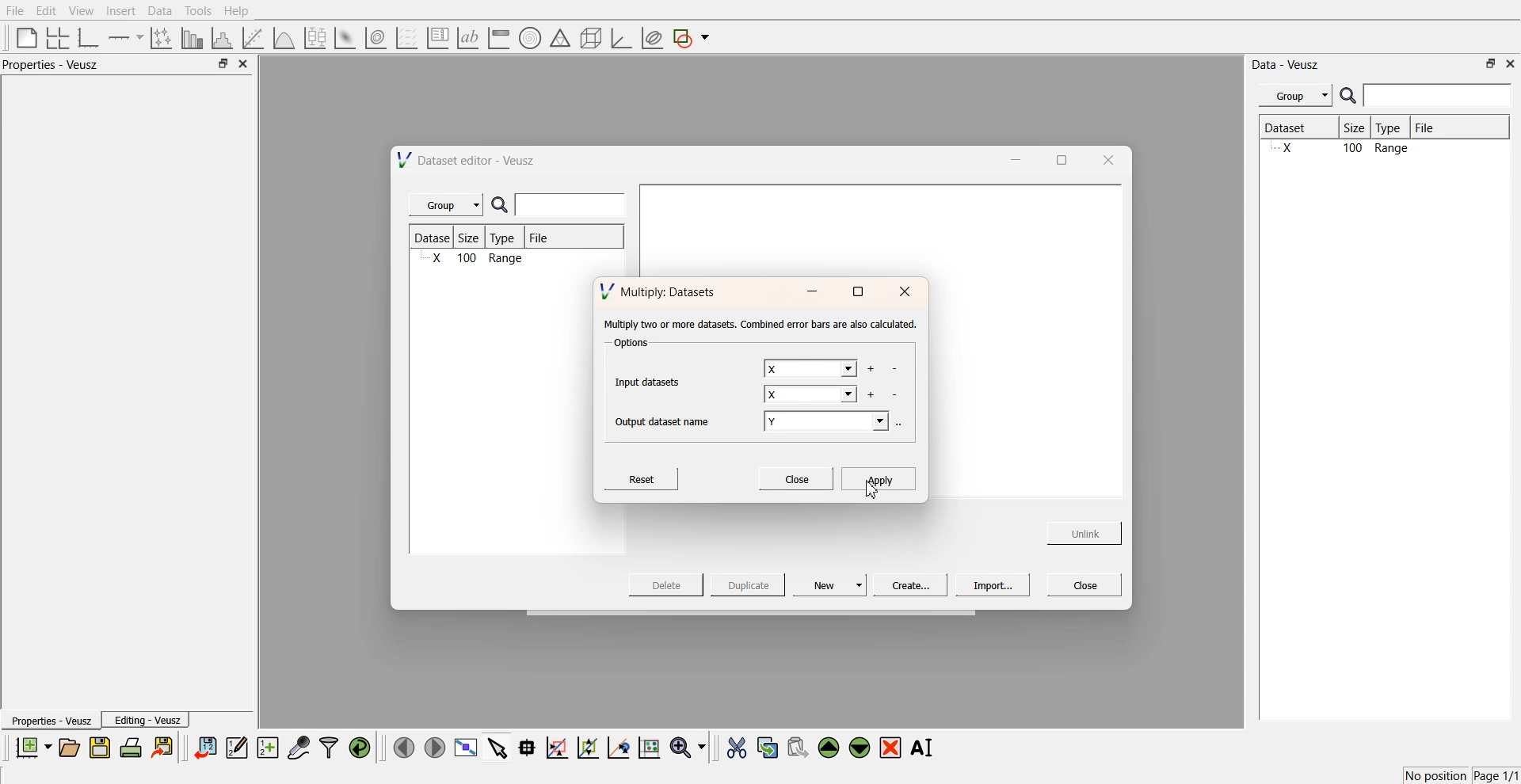 The image size is (1521, 784). Describe the element at coordinates (620, 39) in the screenshot. I see `3d graph` at that location.